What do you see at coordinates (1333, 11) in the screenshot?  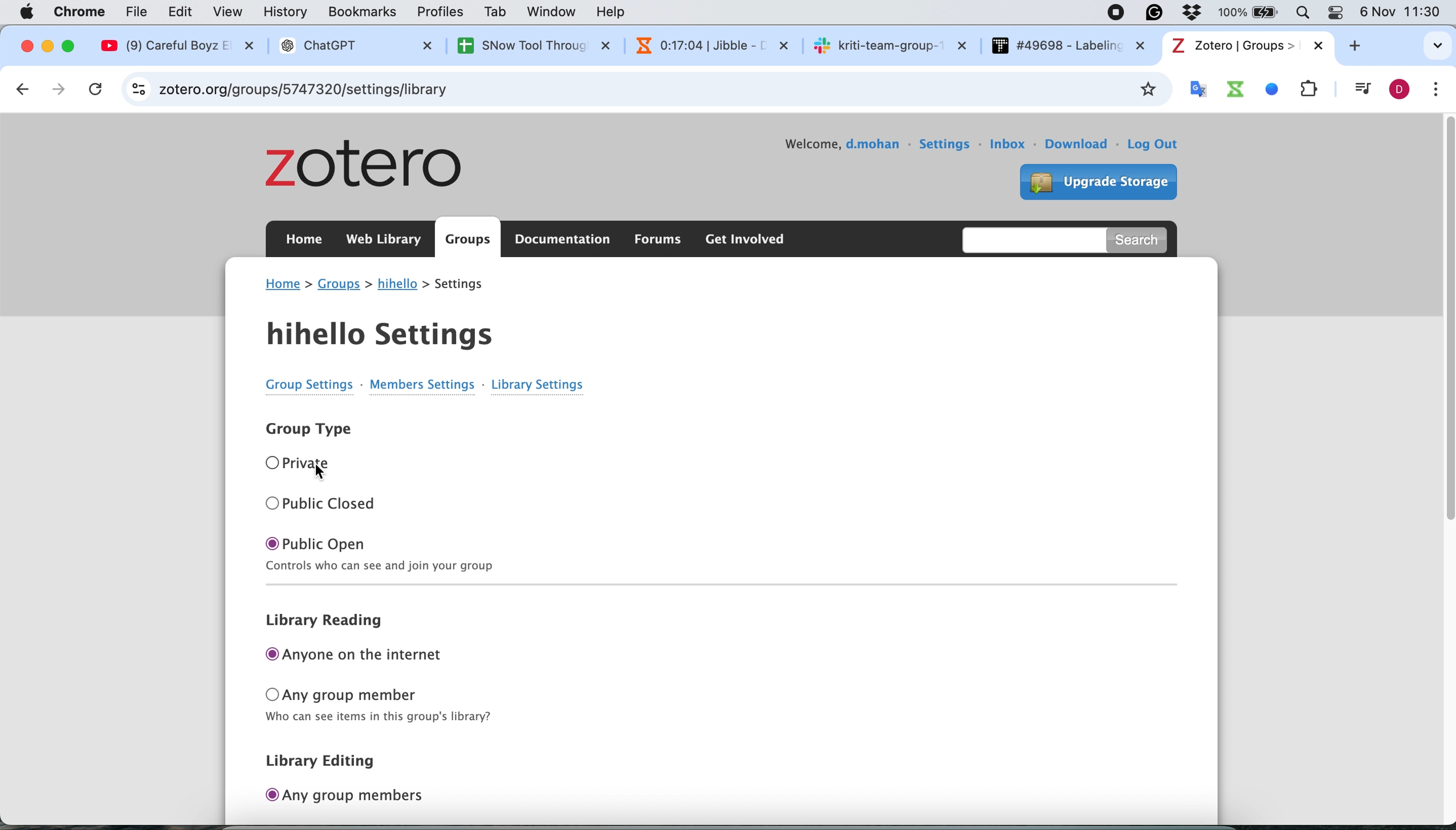 I see `Theme change` at bounding box center [1333, 11].